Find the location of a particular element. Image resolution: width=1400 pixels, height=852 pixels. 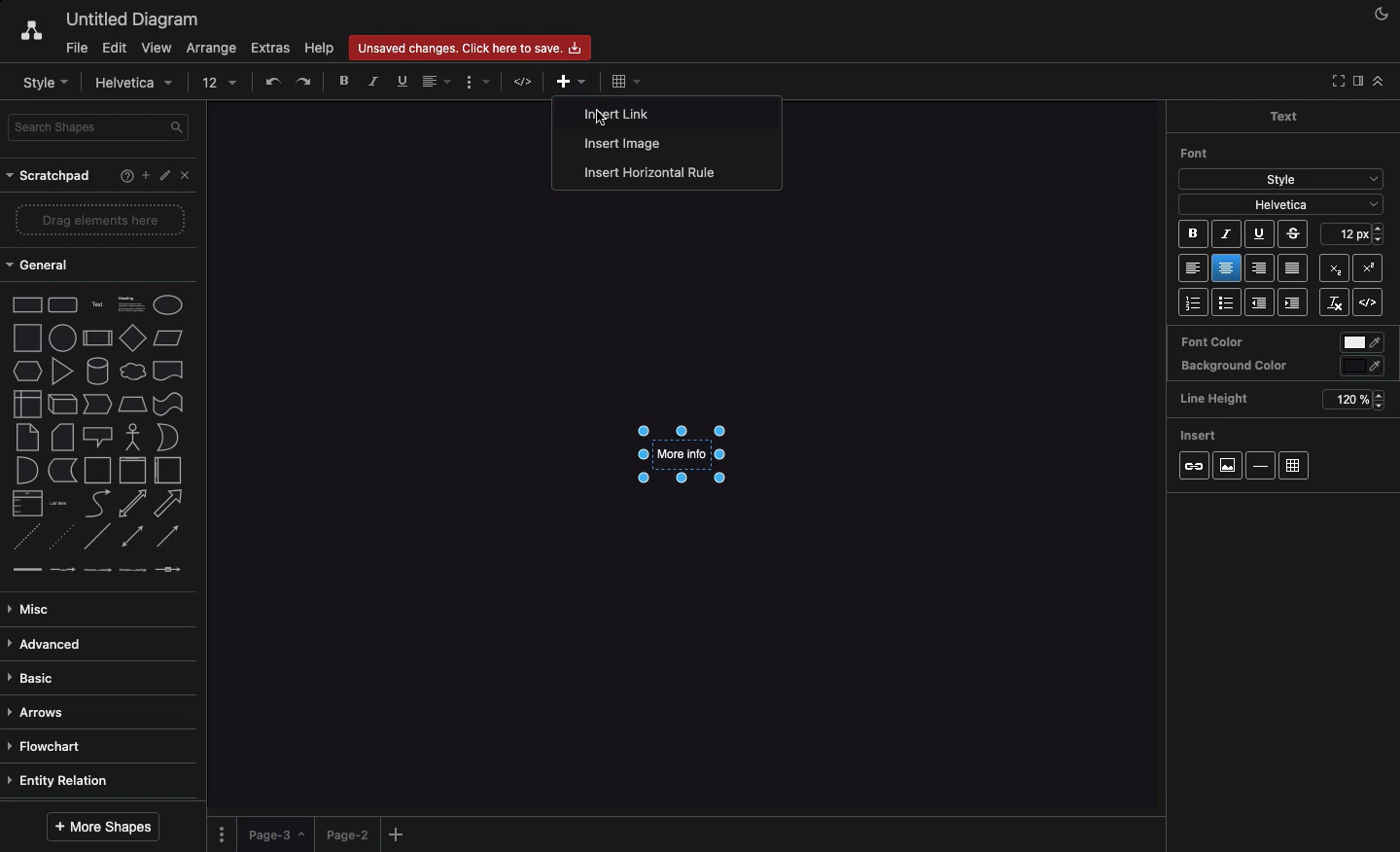

Heading is located at coordinates (133, 302).